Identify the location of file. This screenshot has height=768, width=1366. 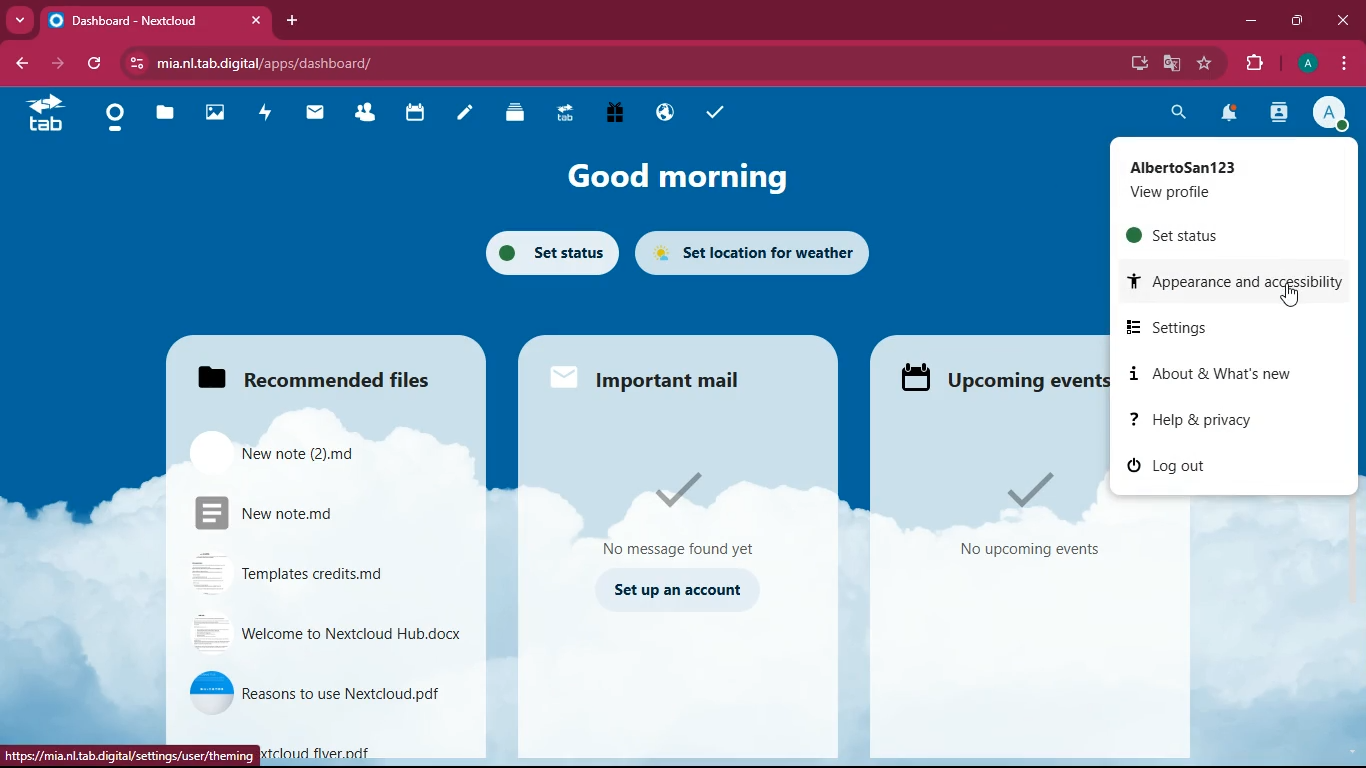
(302, 576).